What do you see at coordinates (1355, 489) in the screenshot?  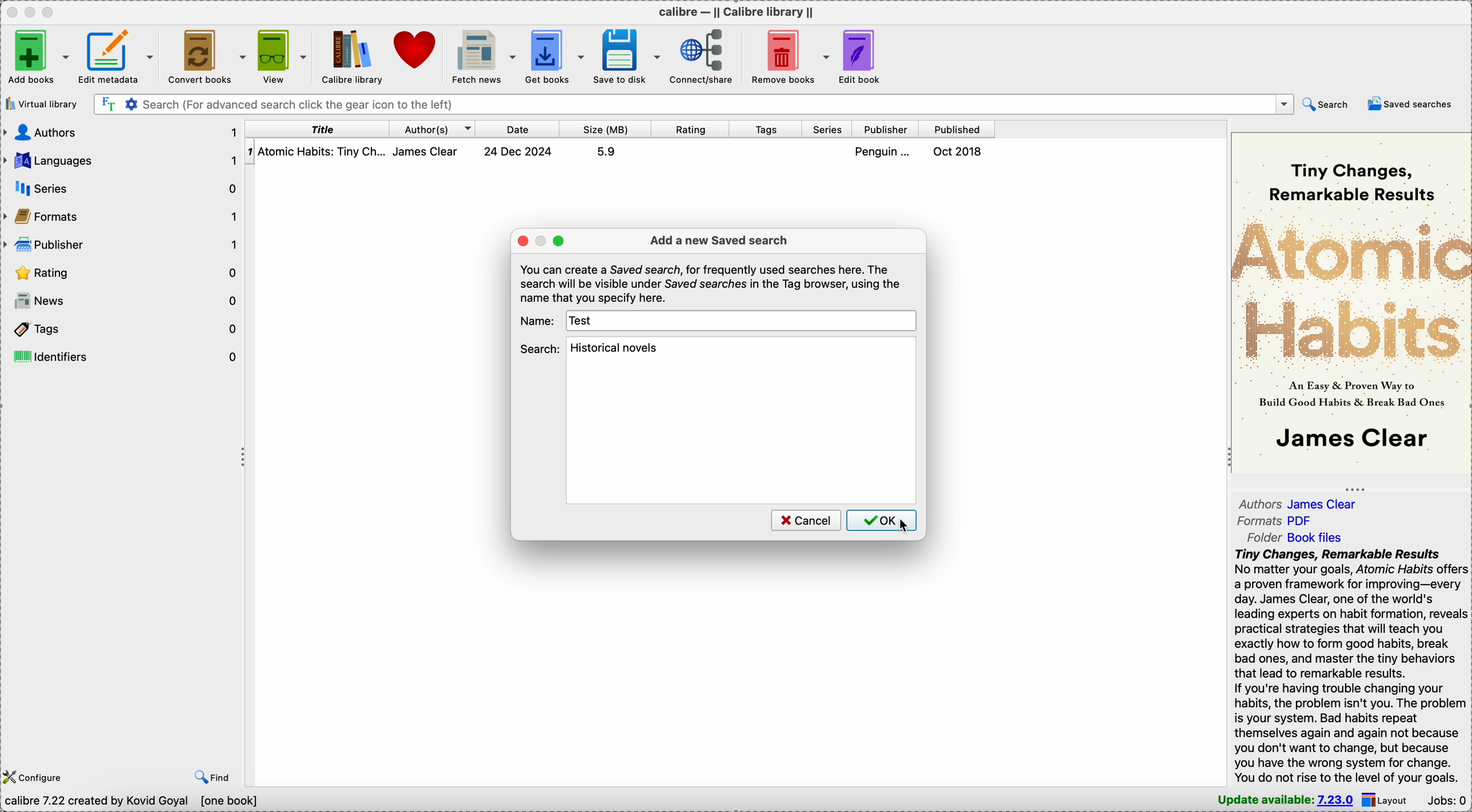 I see `toggle expand/contract` at bounding box center [1355, 489].